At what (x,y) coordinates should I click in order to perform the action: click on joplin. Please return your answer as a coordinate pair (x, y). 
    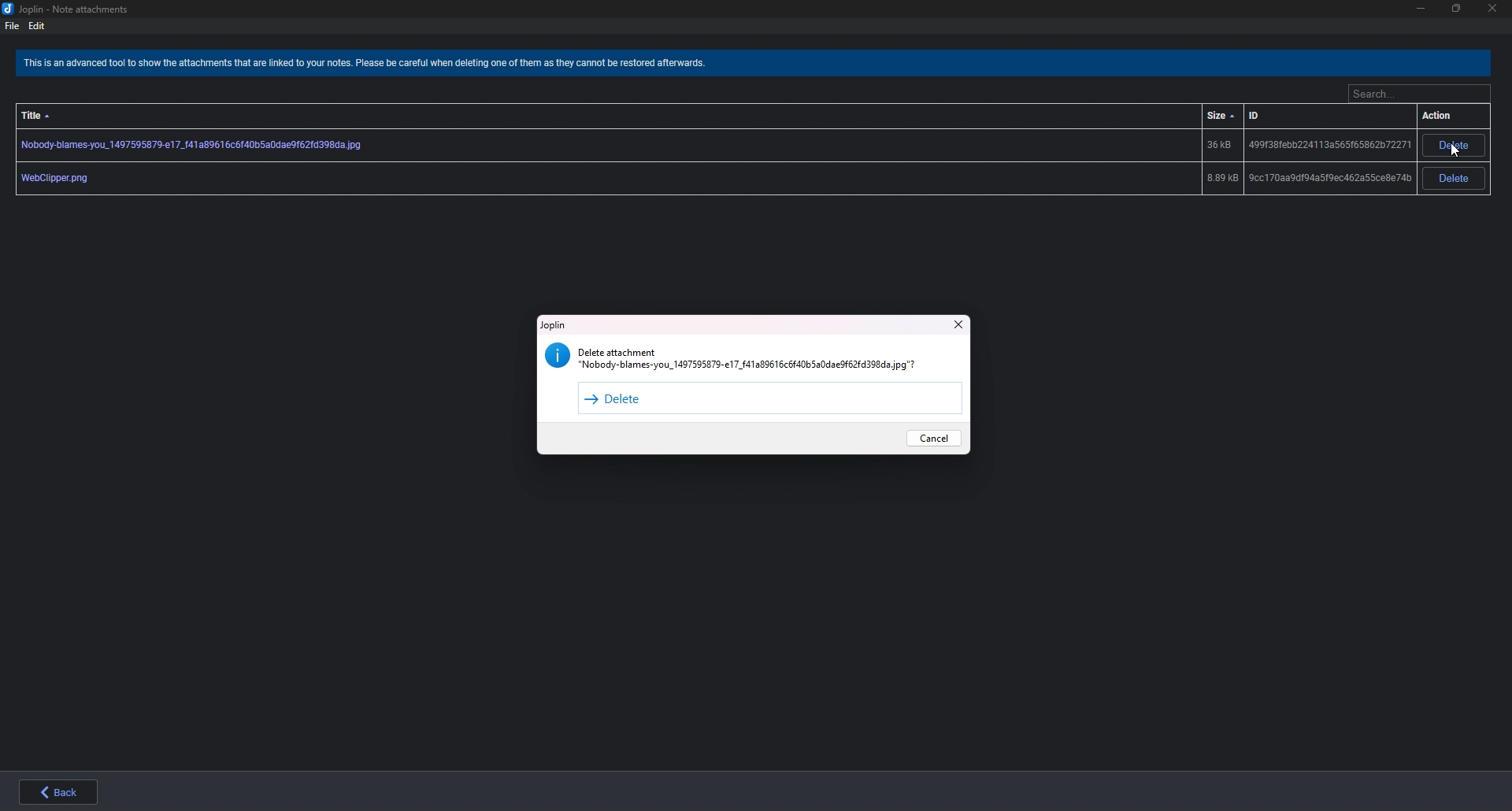
    Looking at the image, I should click on (69, 9).